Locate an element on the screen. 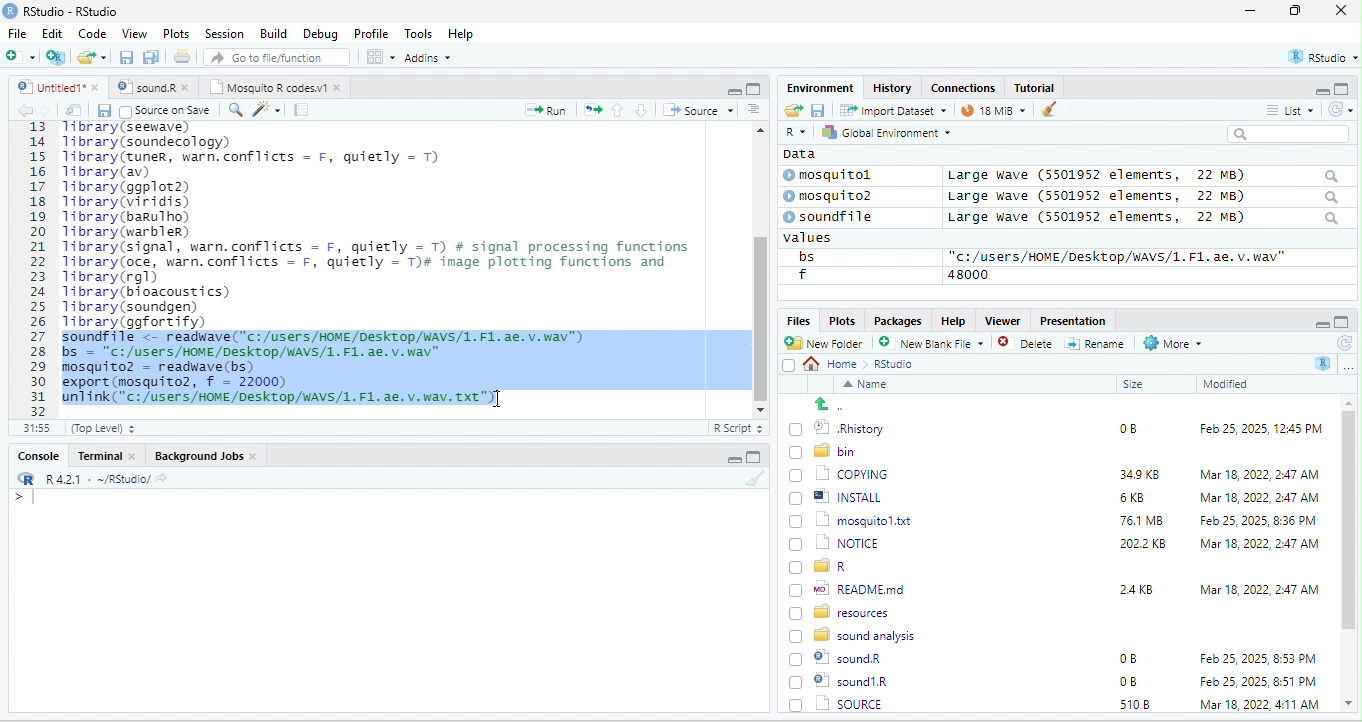  Background Jobs is located at coordinates (205, 455).